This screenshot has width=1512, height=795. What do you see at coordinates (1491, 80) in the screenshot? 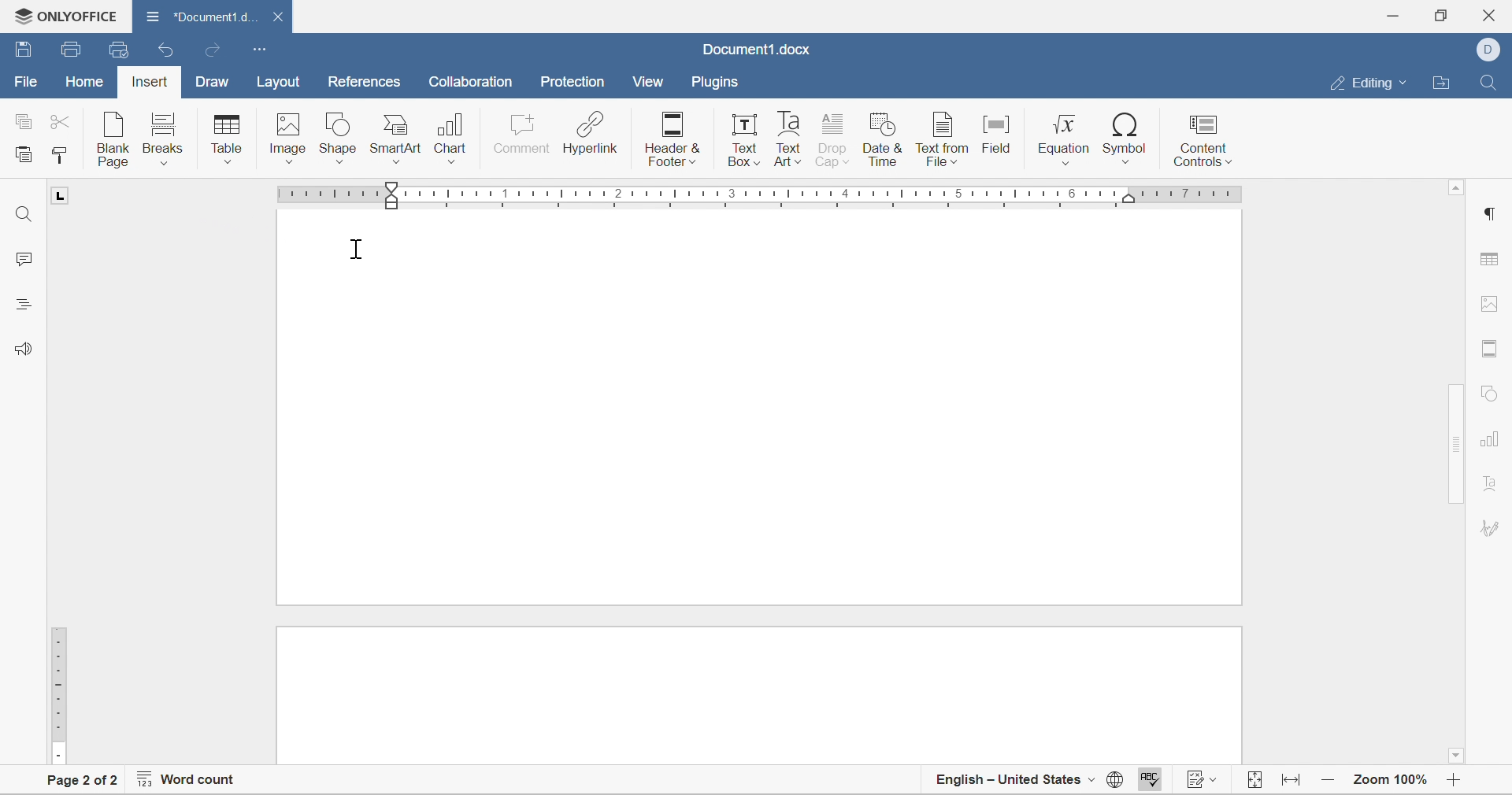
I see `Search` at bounding box center [1491, 80].